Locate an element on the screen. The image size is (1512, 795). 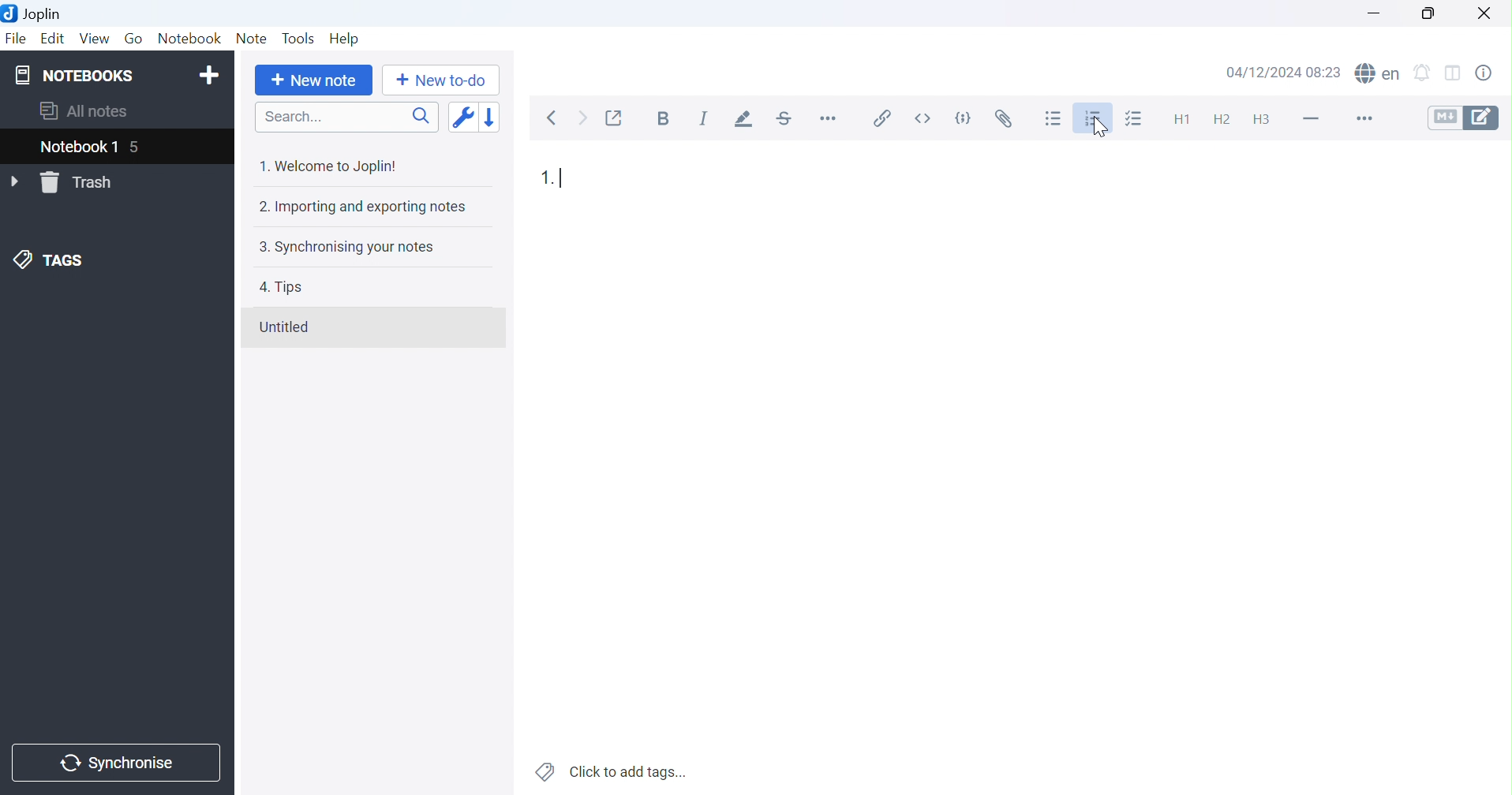
1. Welcome to Joplin! is located at coordinates (327, 166).